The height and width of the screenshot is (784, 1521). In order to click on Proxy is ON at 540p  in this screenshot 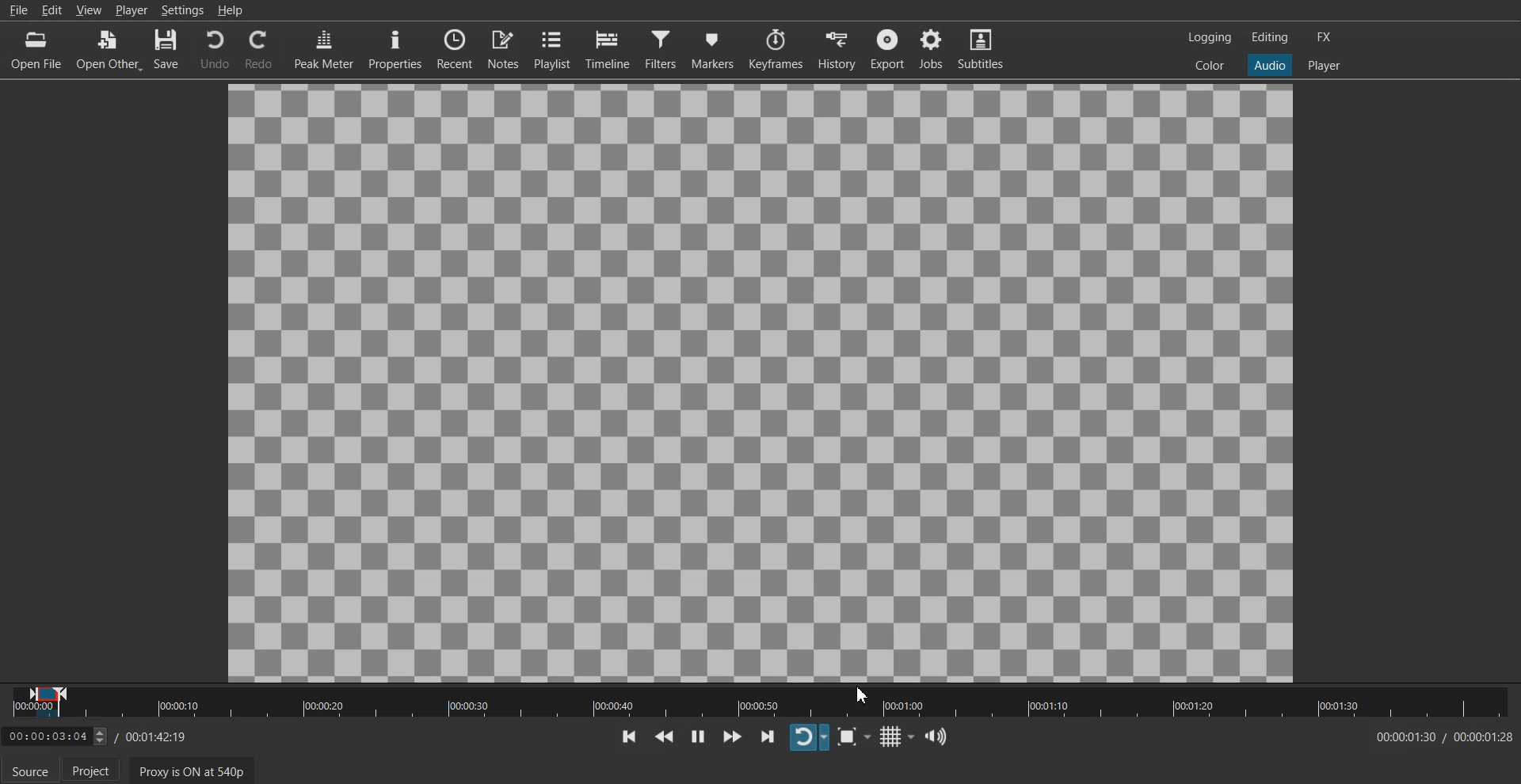, I will do `click(190, 770)`.